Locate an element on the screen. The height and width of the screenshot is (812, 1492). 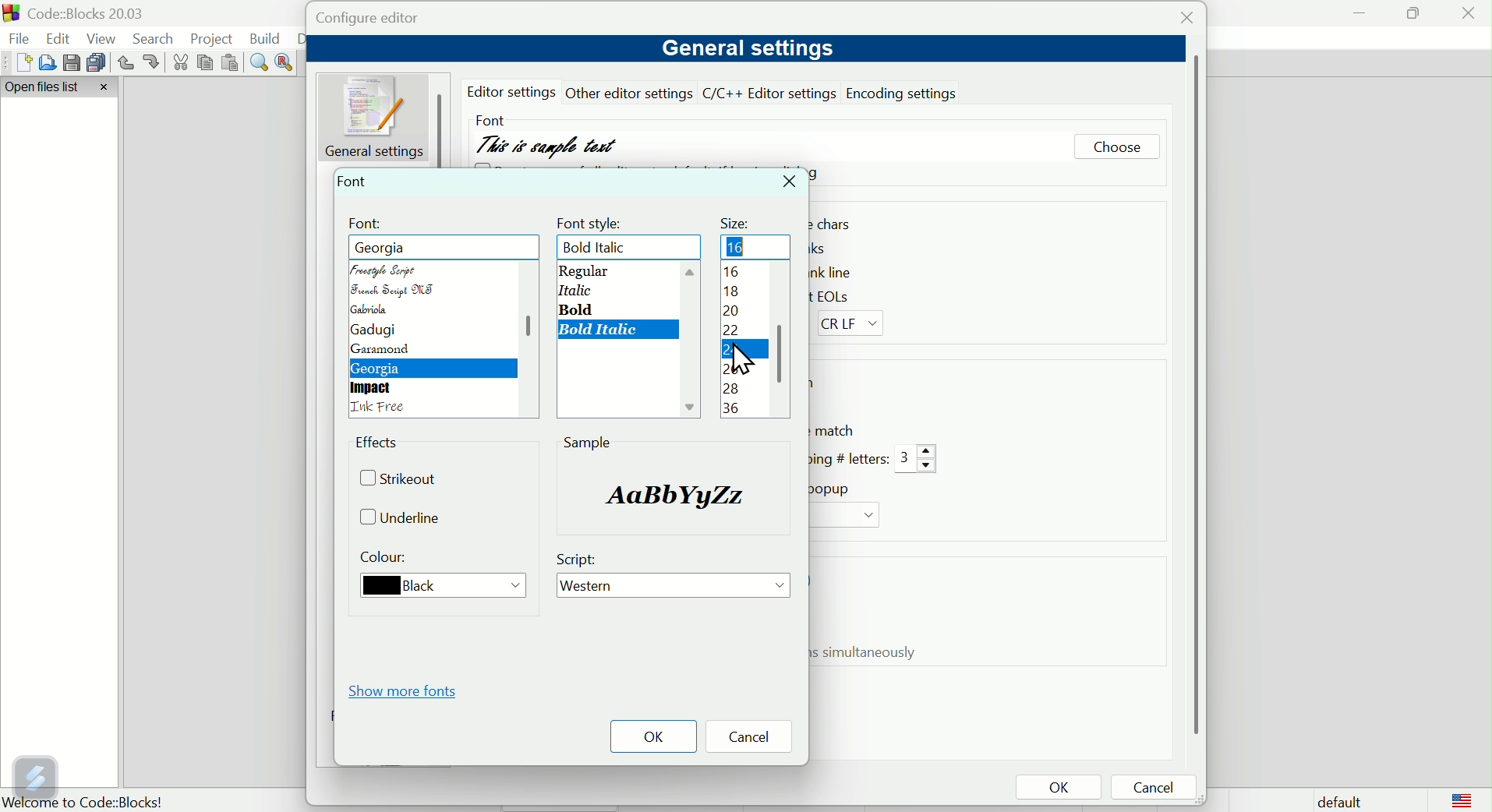
CR LF is located at coordinates (855, 324).